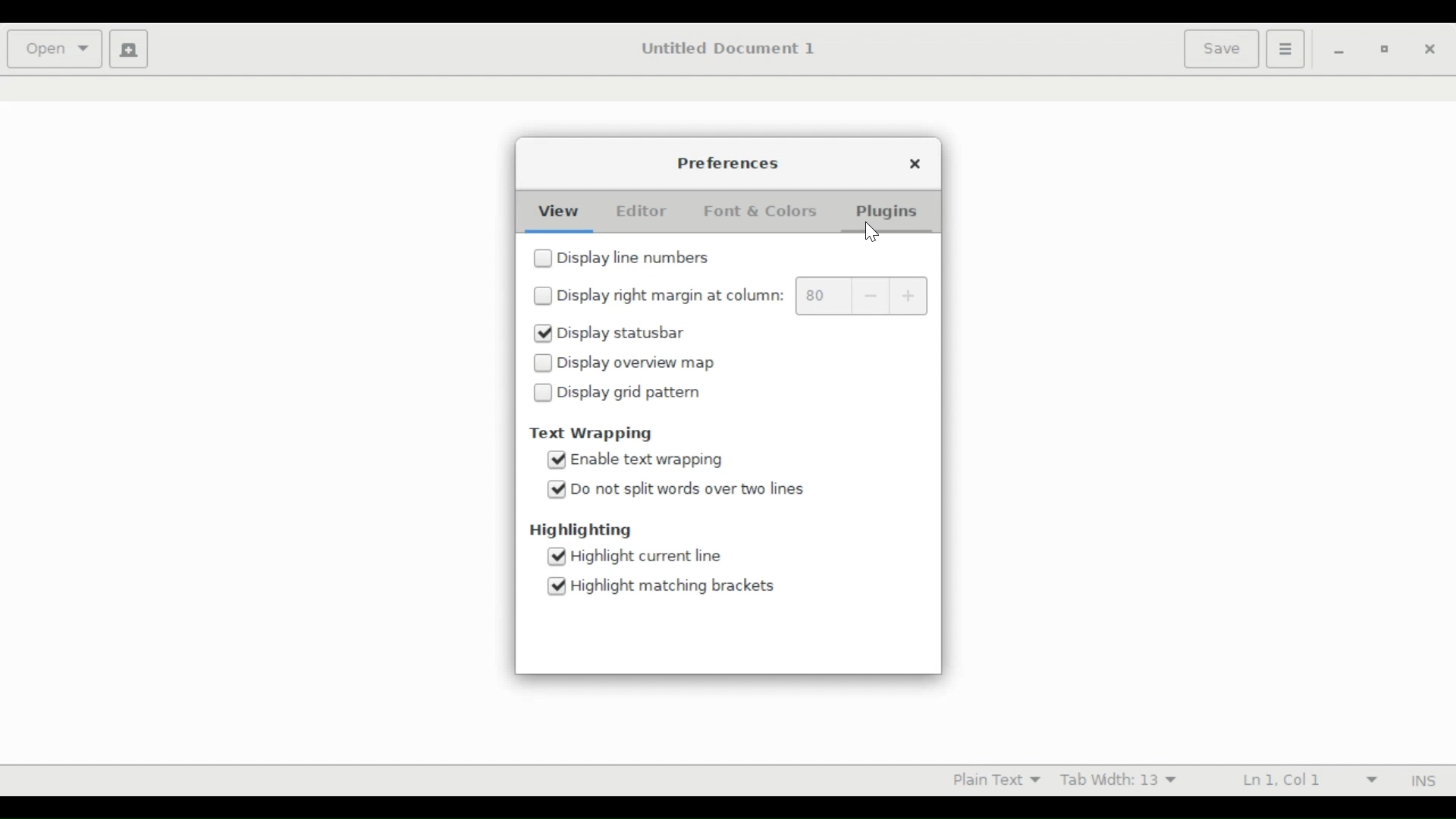  Describe the element at coordinates (695, 490) in the screenshot. I see `(un)check Do not split worth over two lines` at that location.